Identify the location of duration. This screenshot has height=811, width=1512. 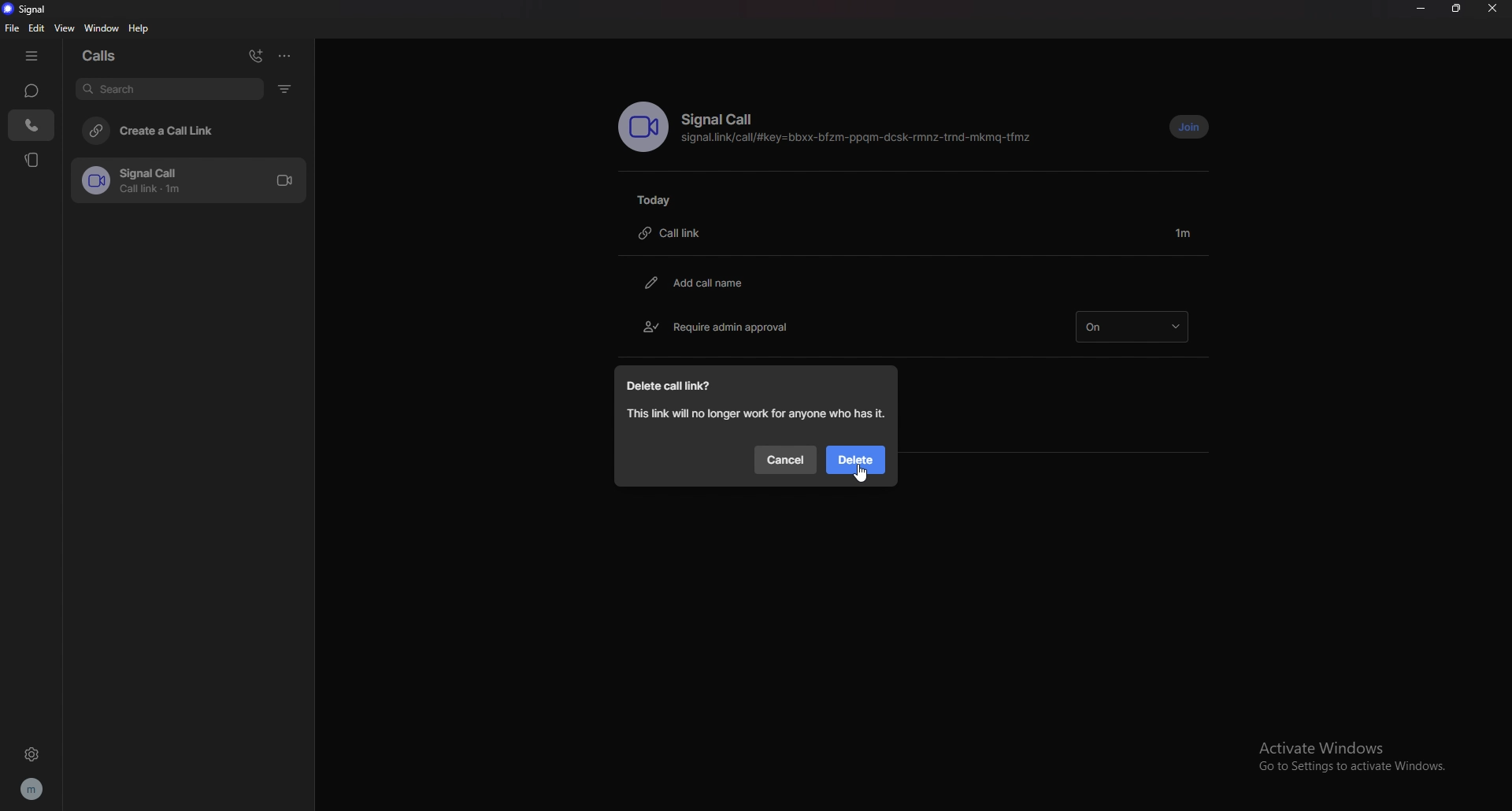
(1186, 231).